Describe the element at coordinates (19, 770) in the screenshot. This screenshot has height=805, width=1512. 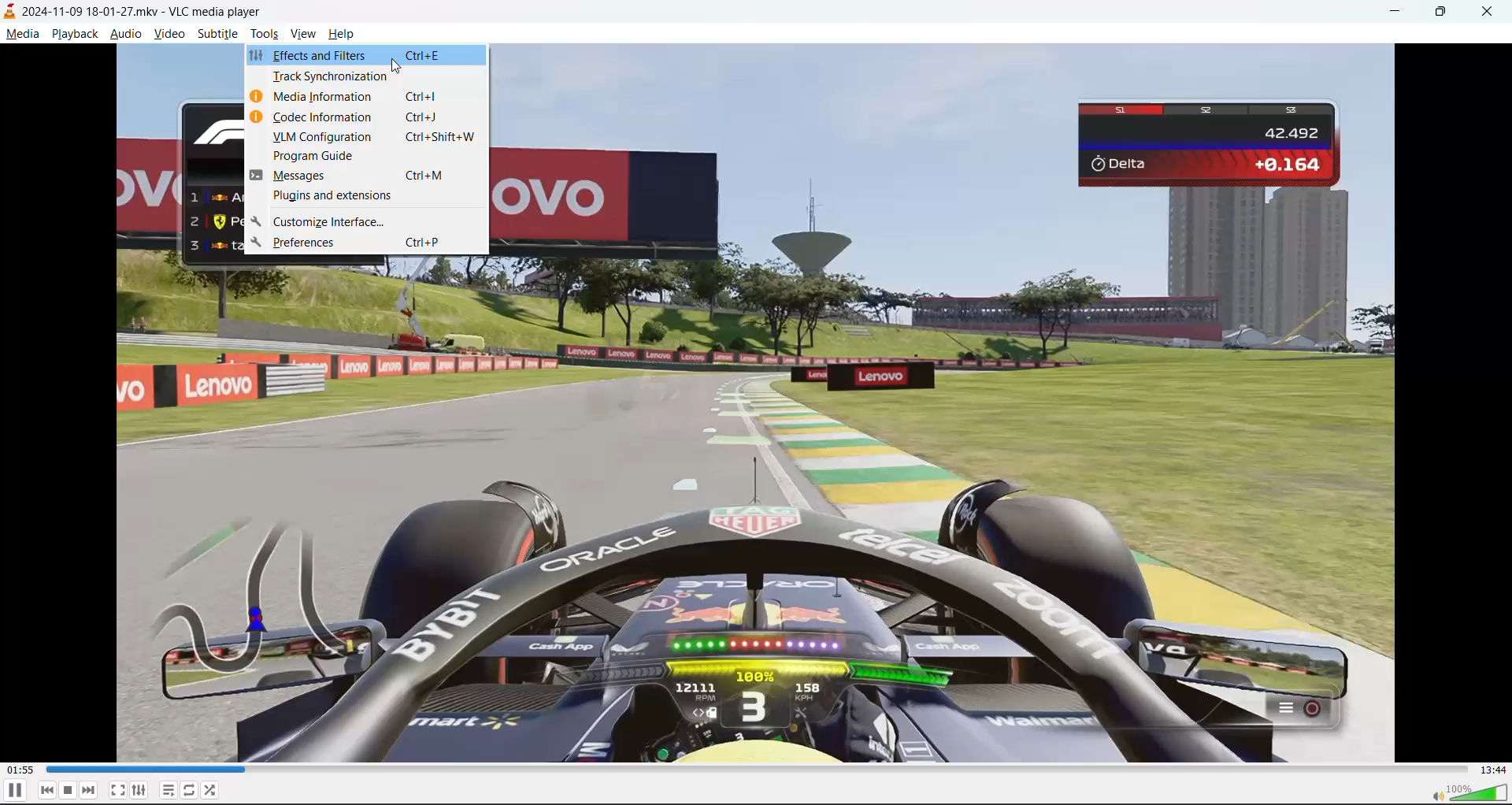
I see `current track time` at that location.